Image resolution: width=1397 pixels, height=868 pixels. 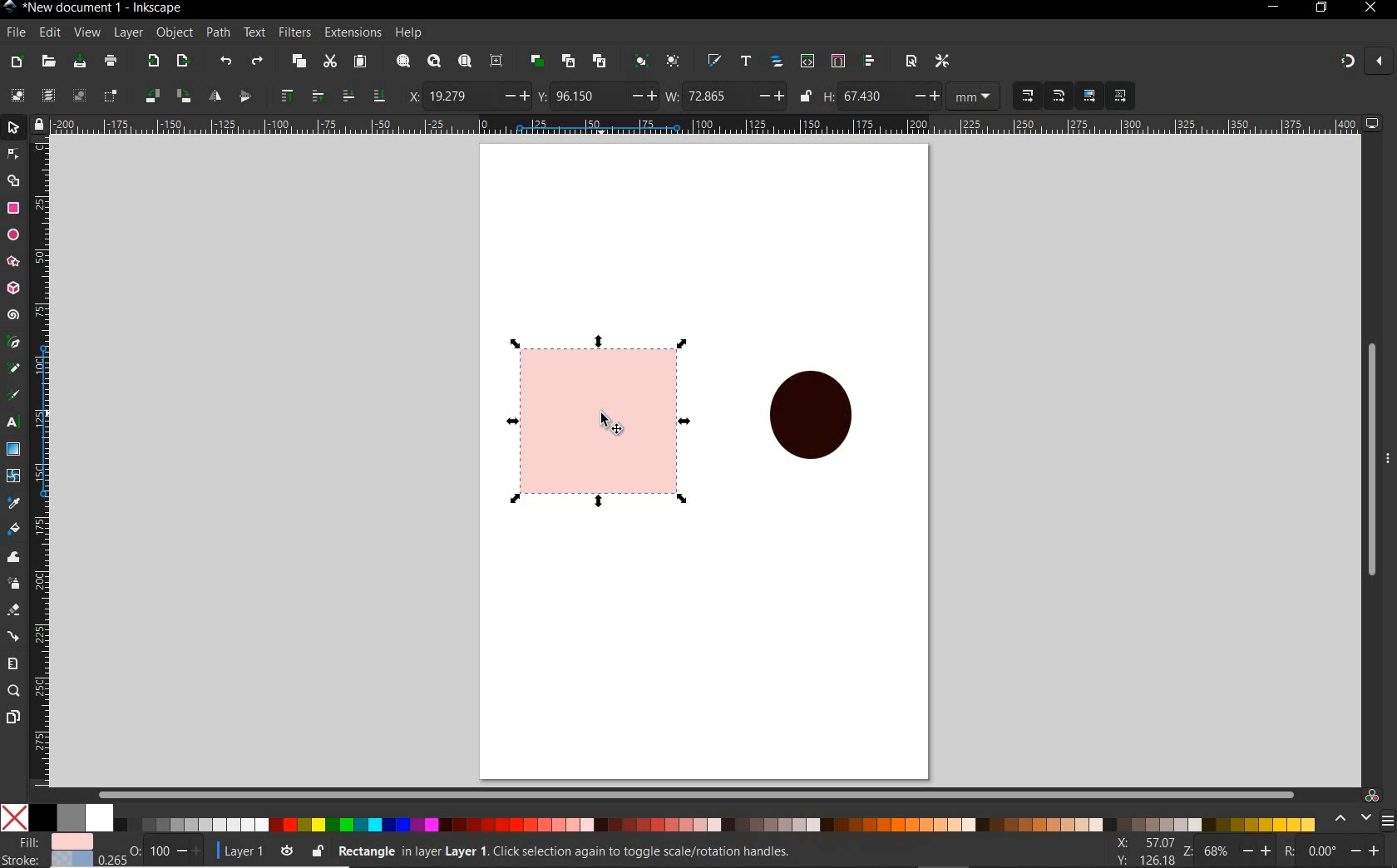 What do you see at coordinates (1389, 457) in the screenshot?
I see `hide` at bounding box center [1389, 457].